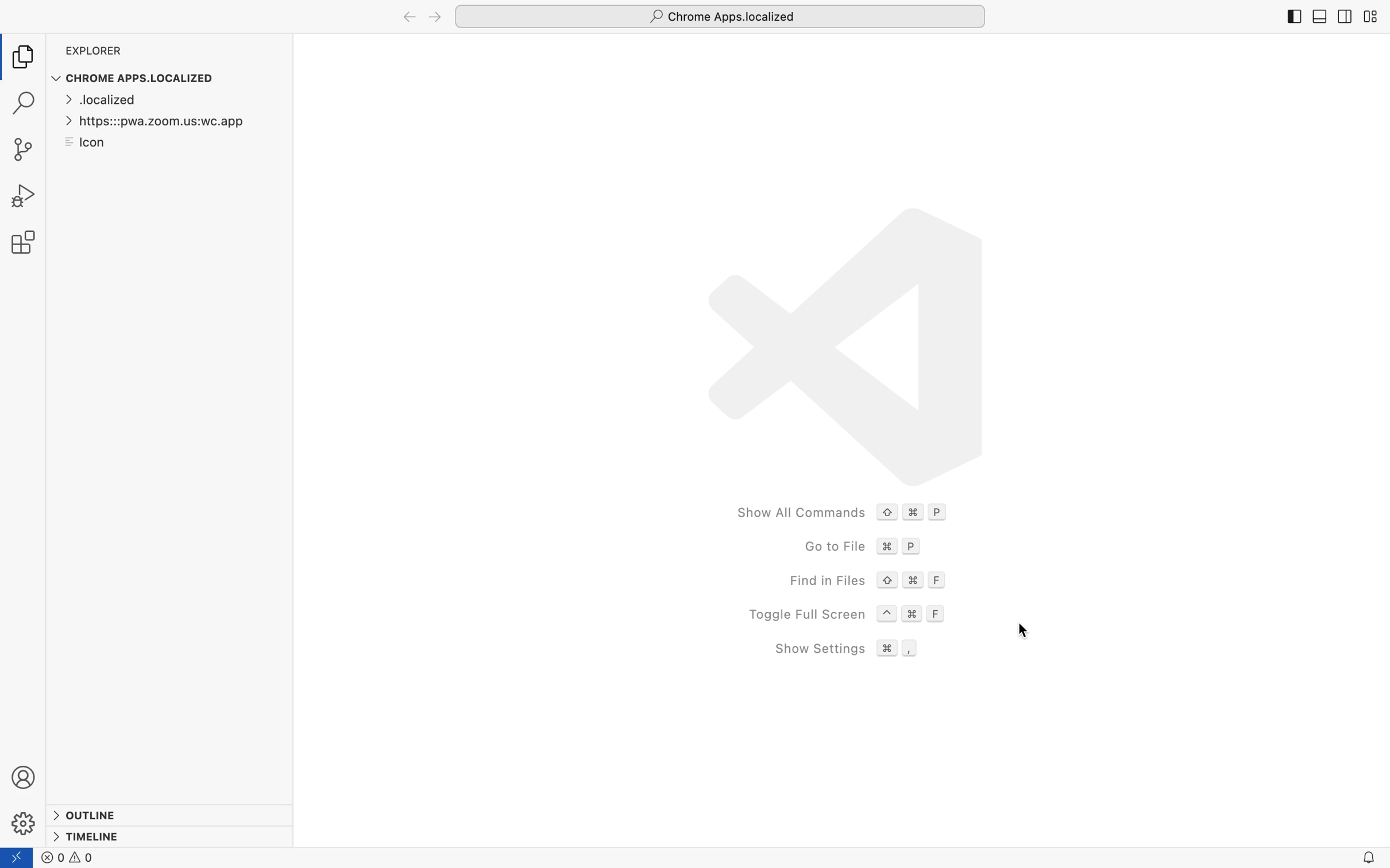 The height and width of the screenshot is (868, 1390). What do you see at coordinates (25, 777) in the screenshot?
I see `profile` at bounding box center [25, 777].